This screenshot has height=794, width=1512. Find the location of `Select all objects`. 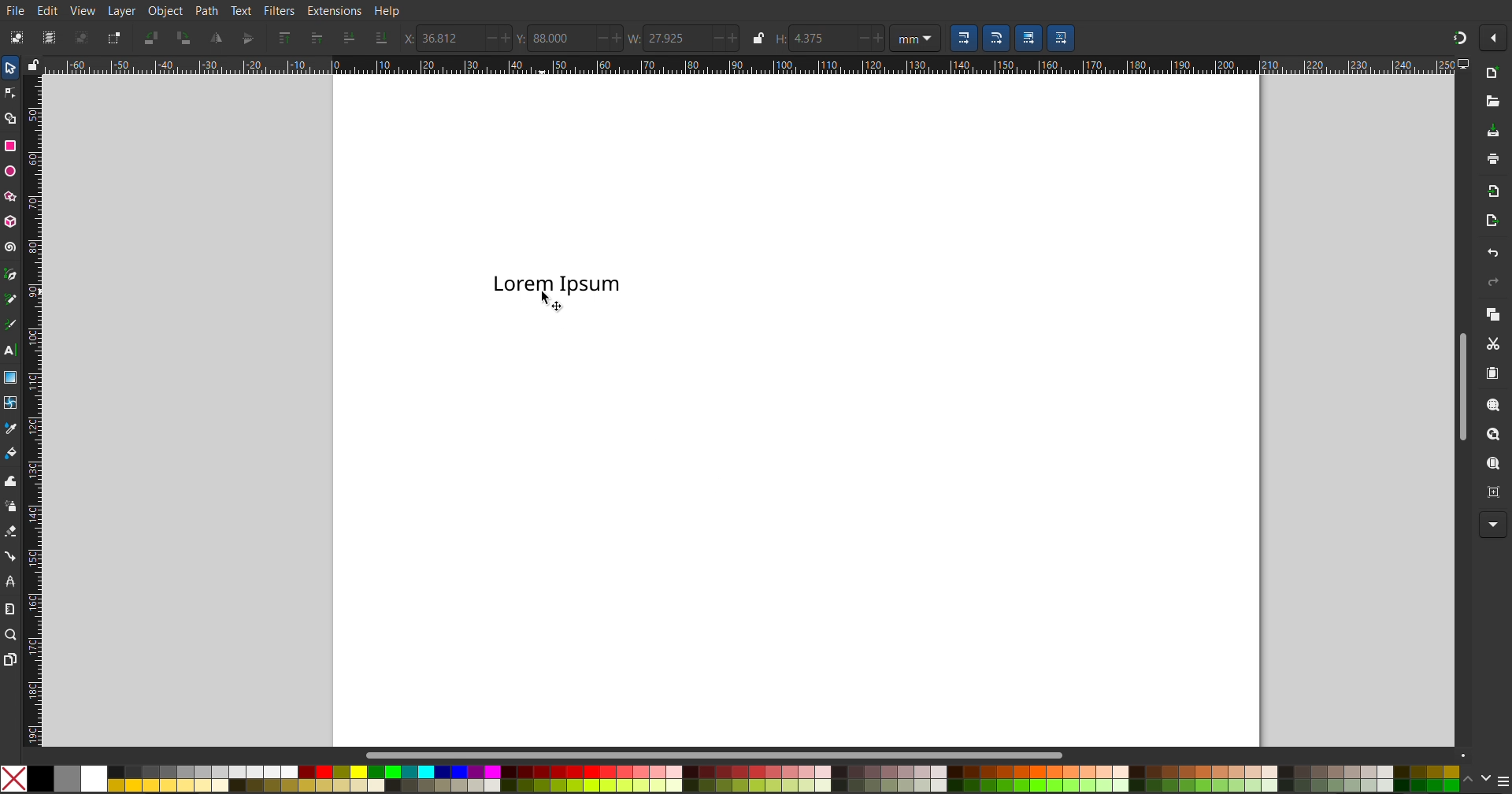

Select all objects is located at coordinates (15, 37).